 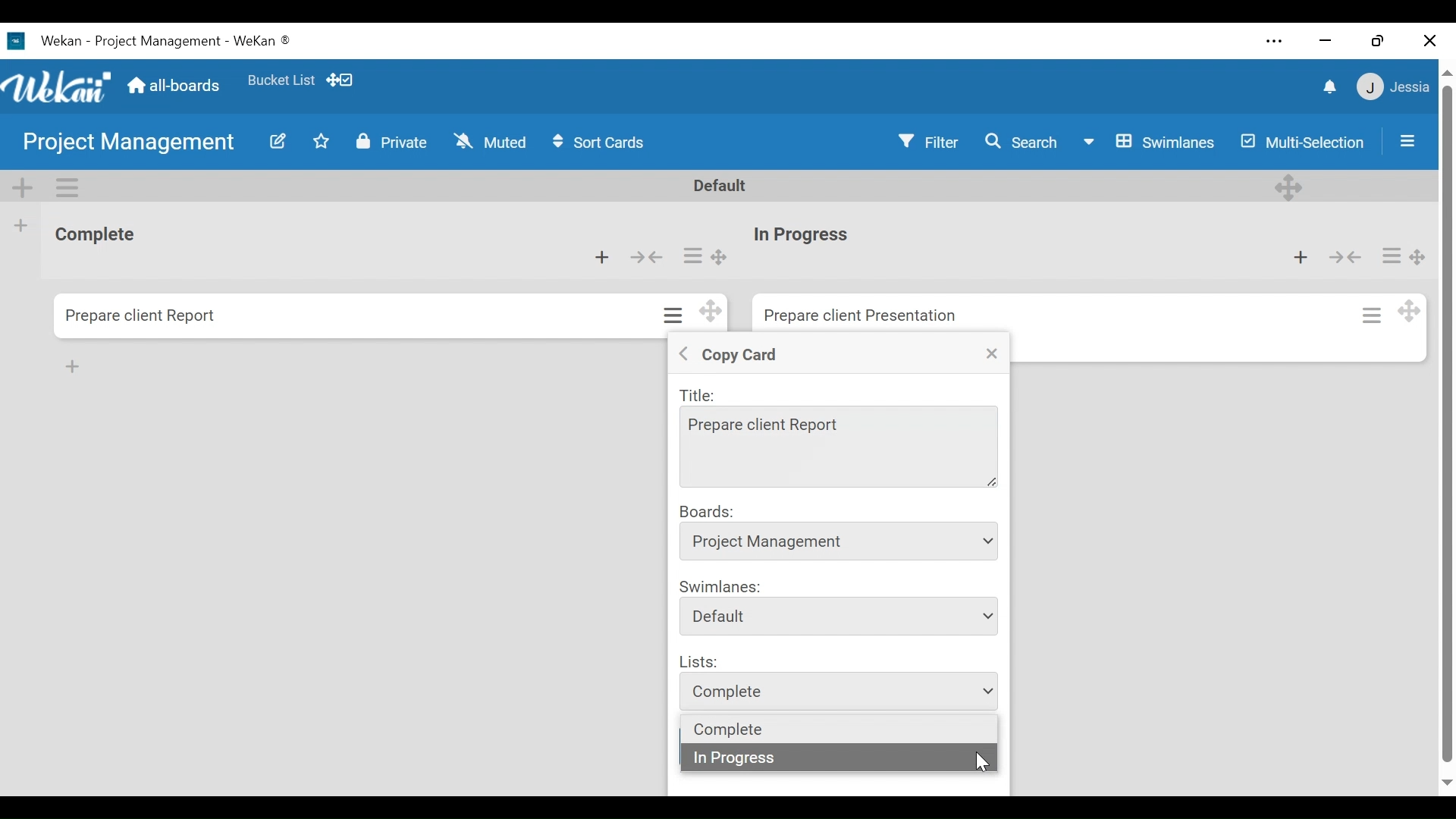 I want to click on Back, so click(x=682, y=353).